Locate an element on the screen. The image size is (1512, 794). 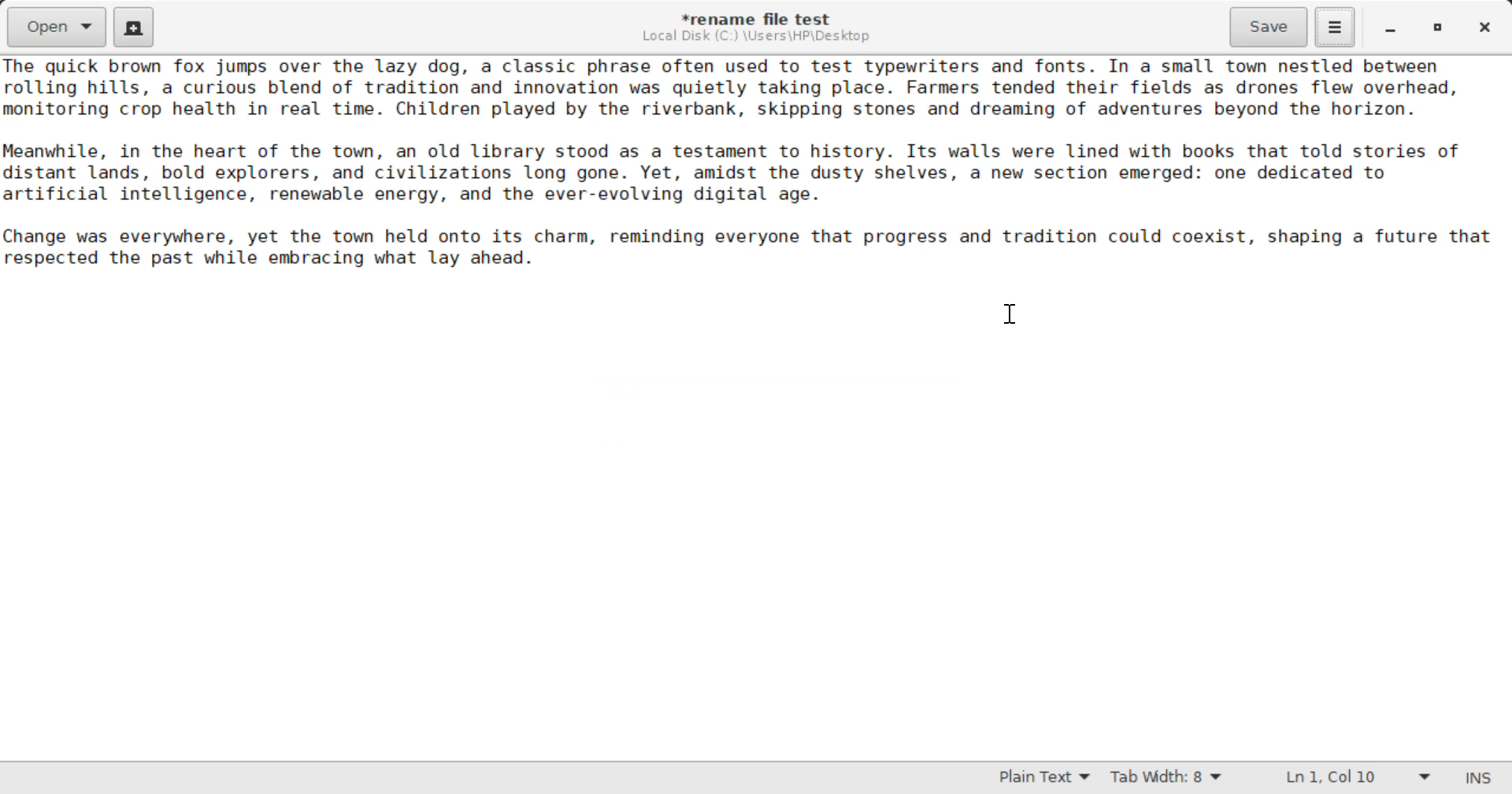
Open Document is located at coordinates (54, 27).